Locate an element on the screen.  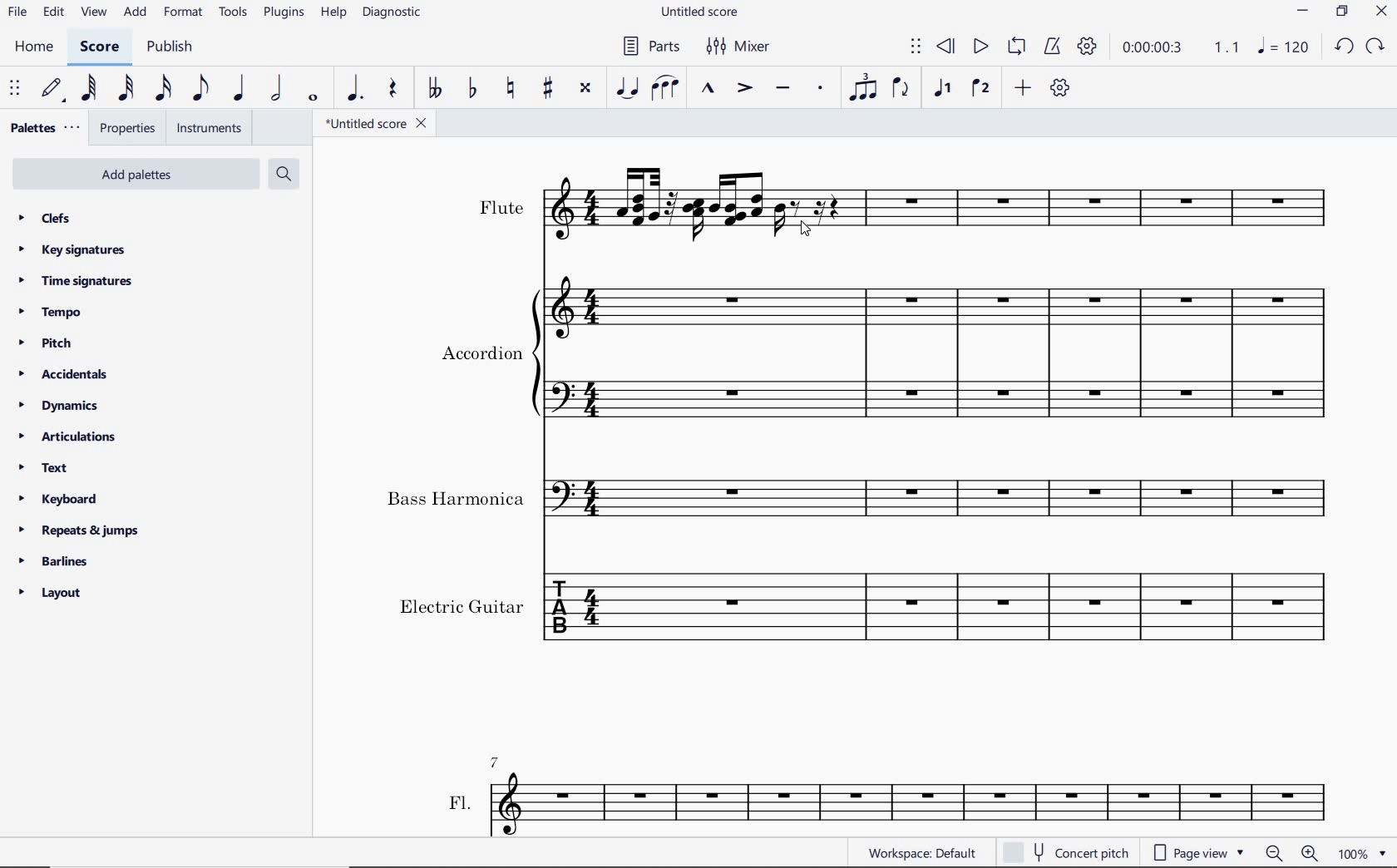
text is located at coordinates (460, 801).